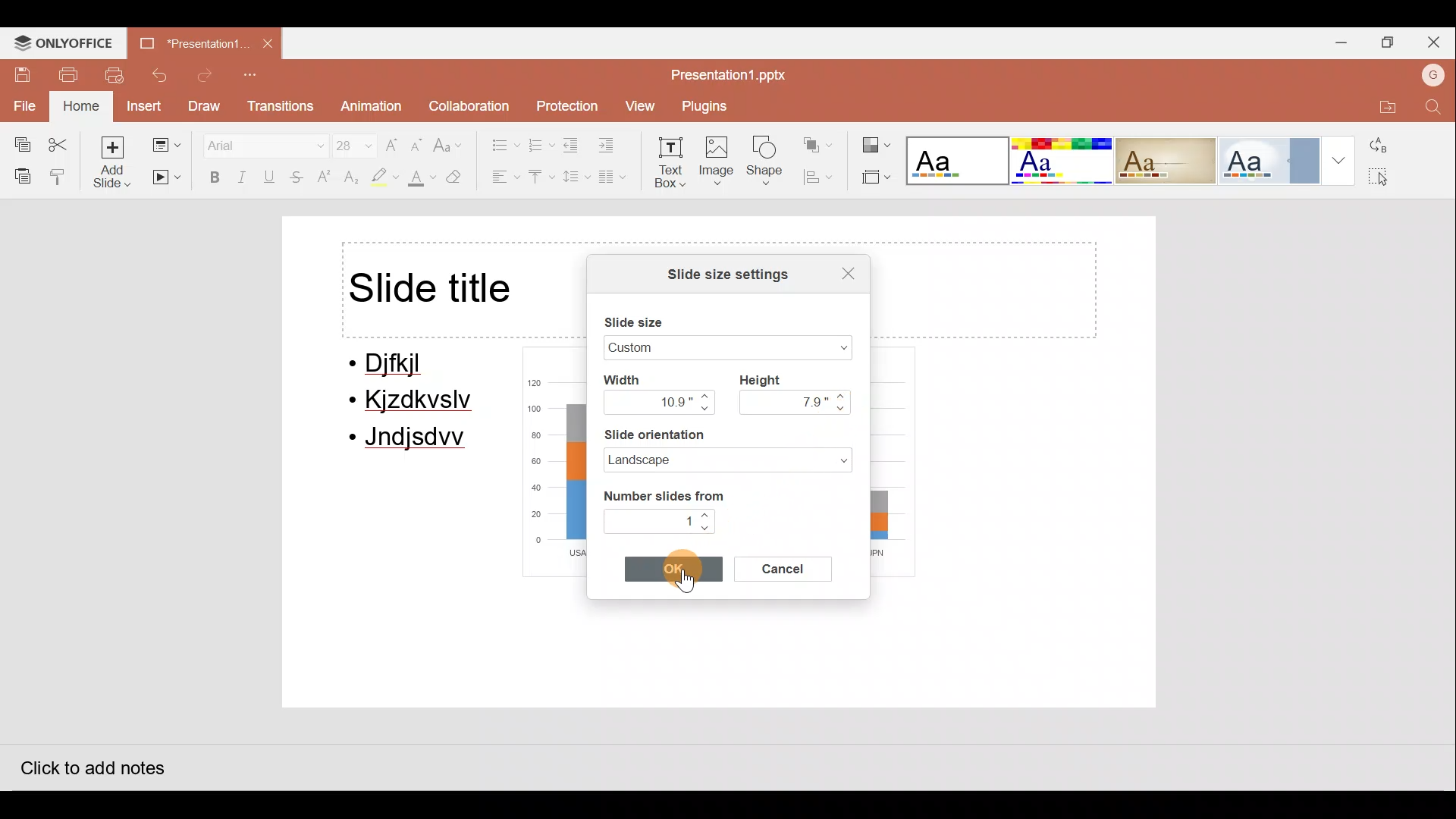 The height and width of the screenshot is (819, 1456). Describe the element at coordinates (1433, 108) in the screenshot. I see `Find` at that location.